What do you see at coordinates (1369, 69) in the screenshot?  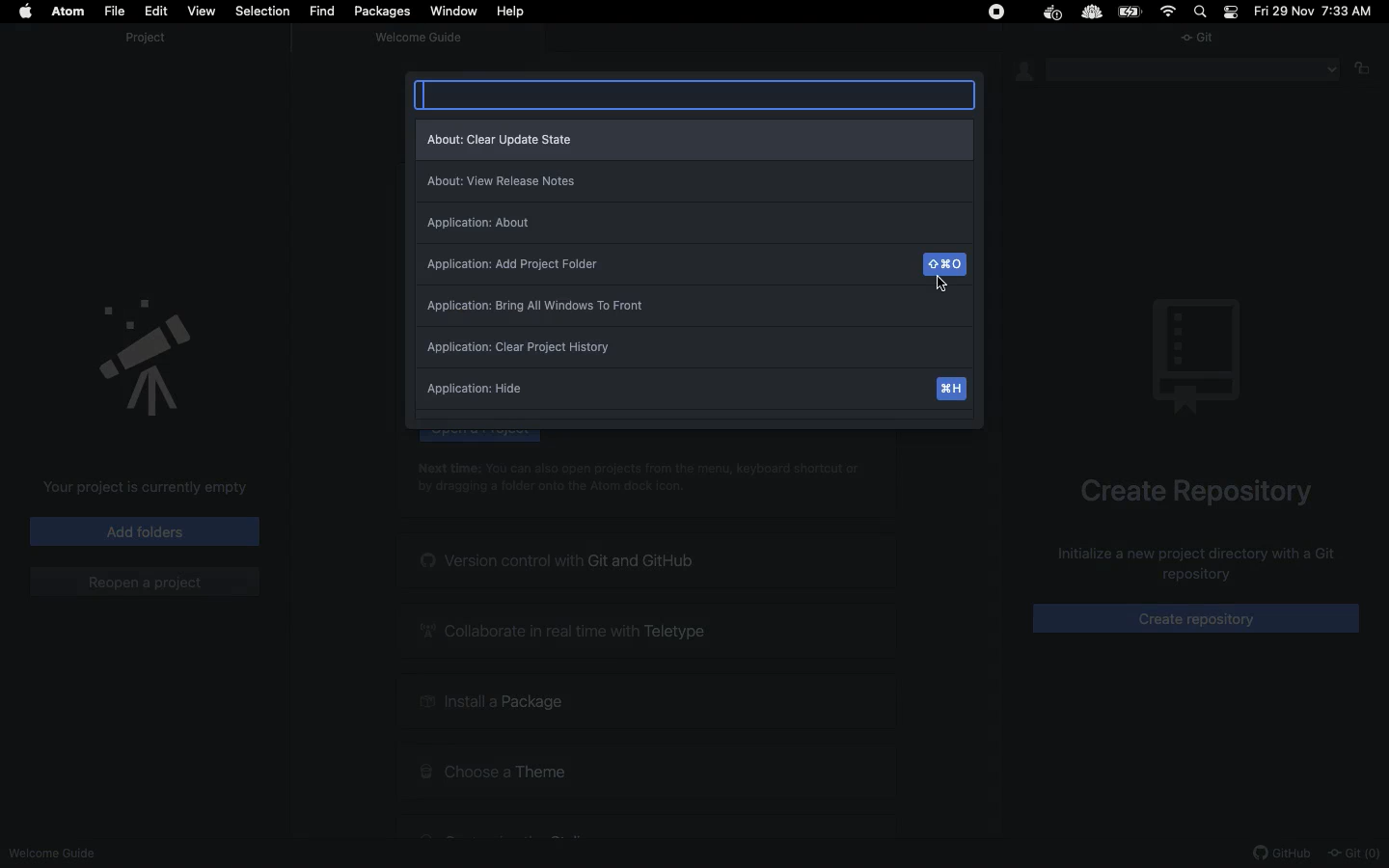 I see `Focus on active pane` at bounding box center [1369, 69].